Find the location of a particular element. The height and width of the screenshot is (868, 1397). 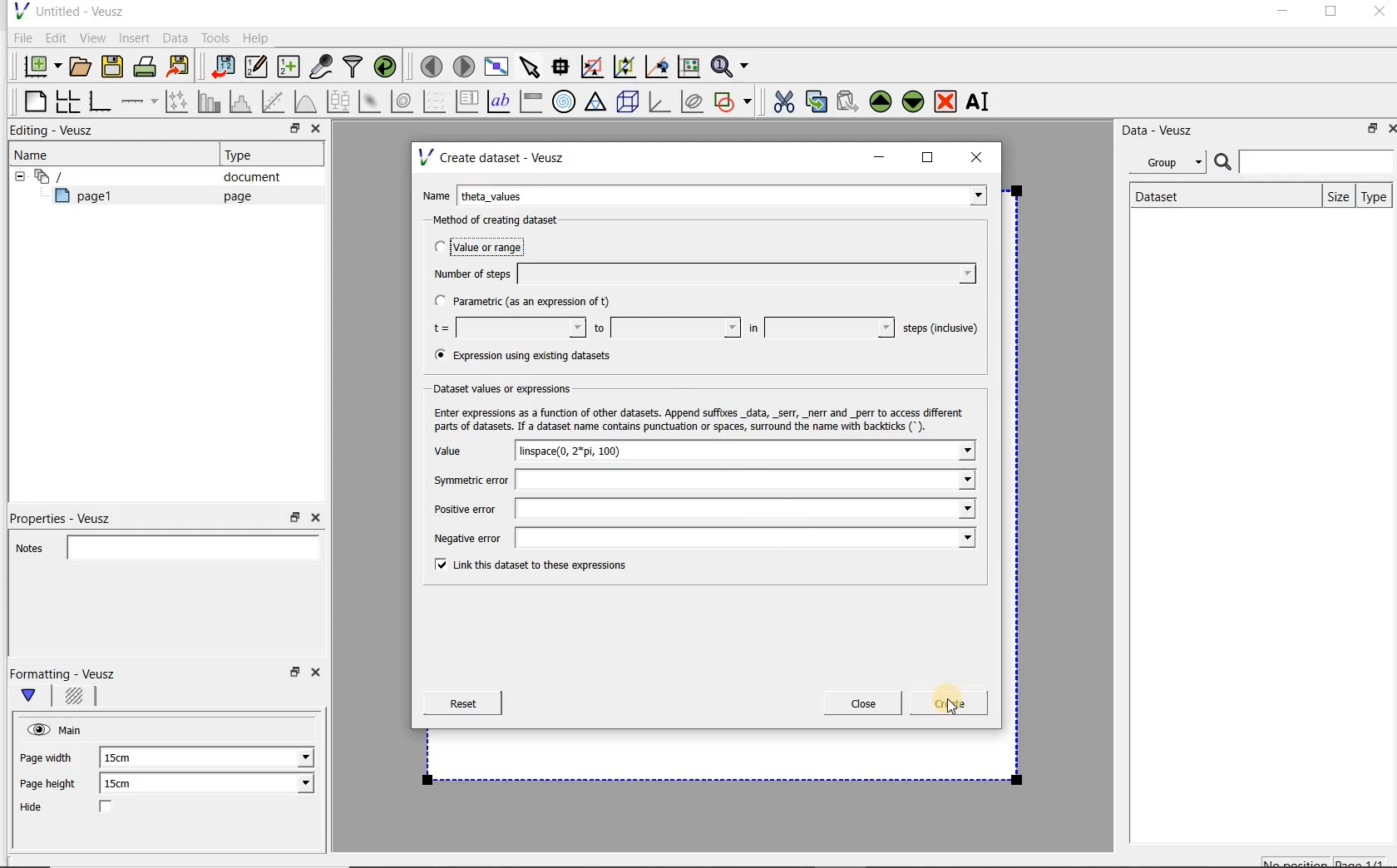

Main formatting is located at coordinates (36, 697).